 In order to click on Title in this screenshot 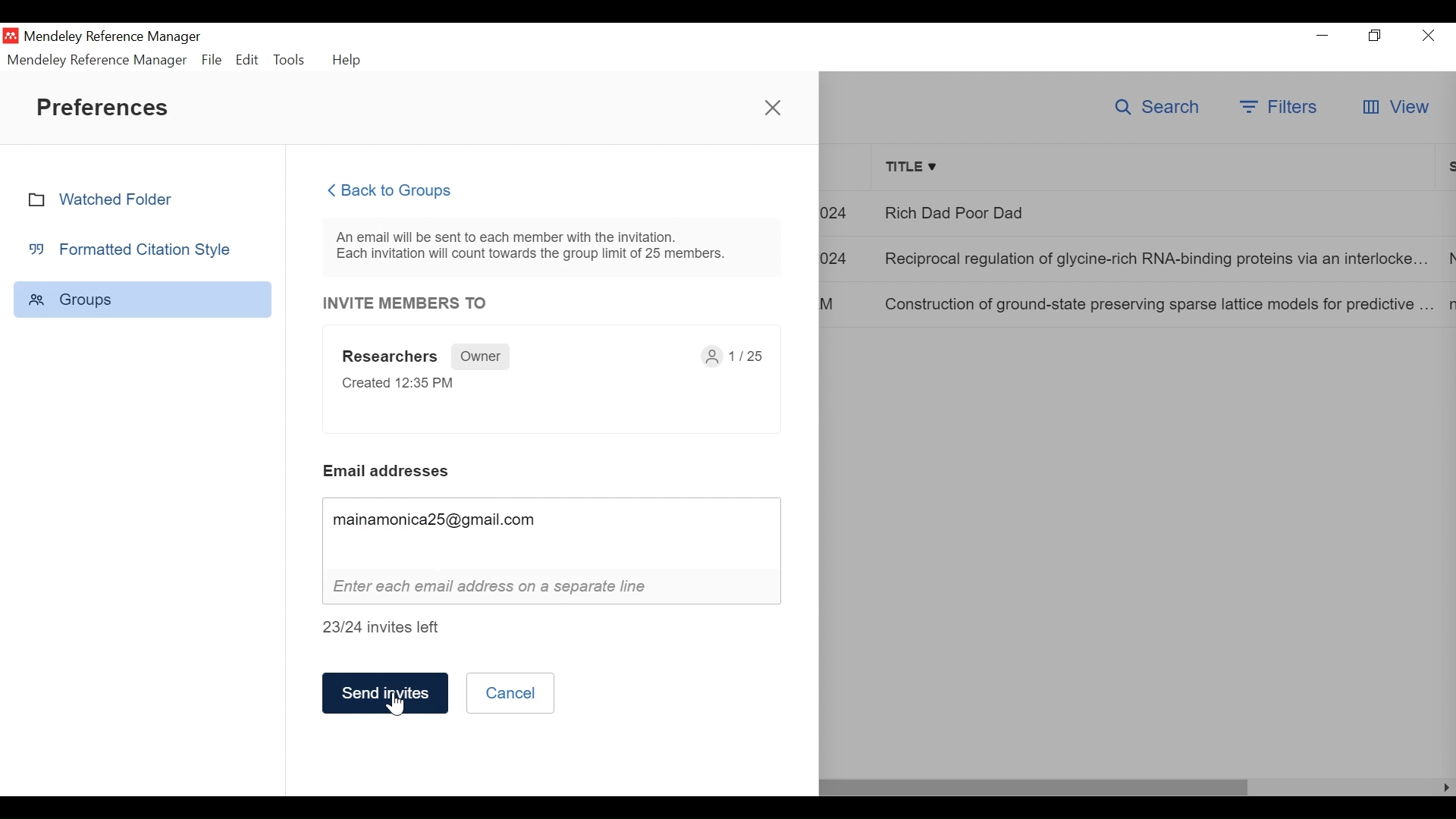, I will do `click(1156, 168)`.